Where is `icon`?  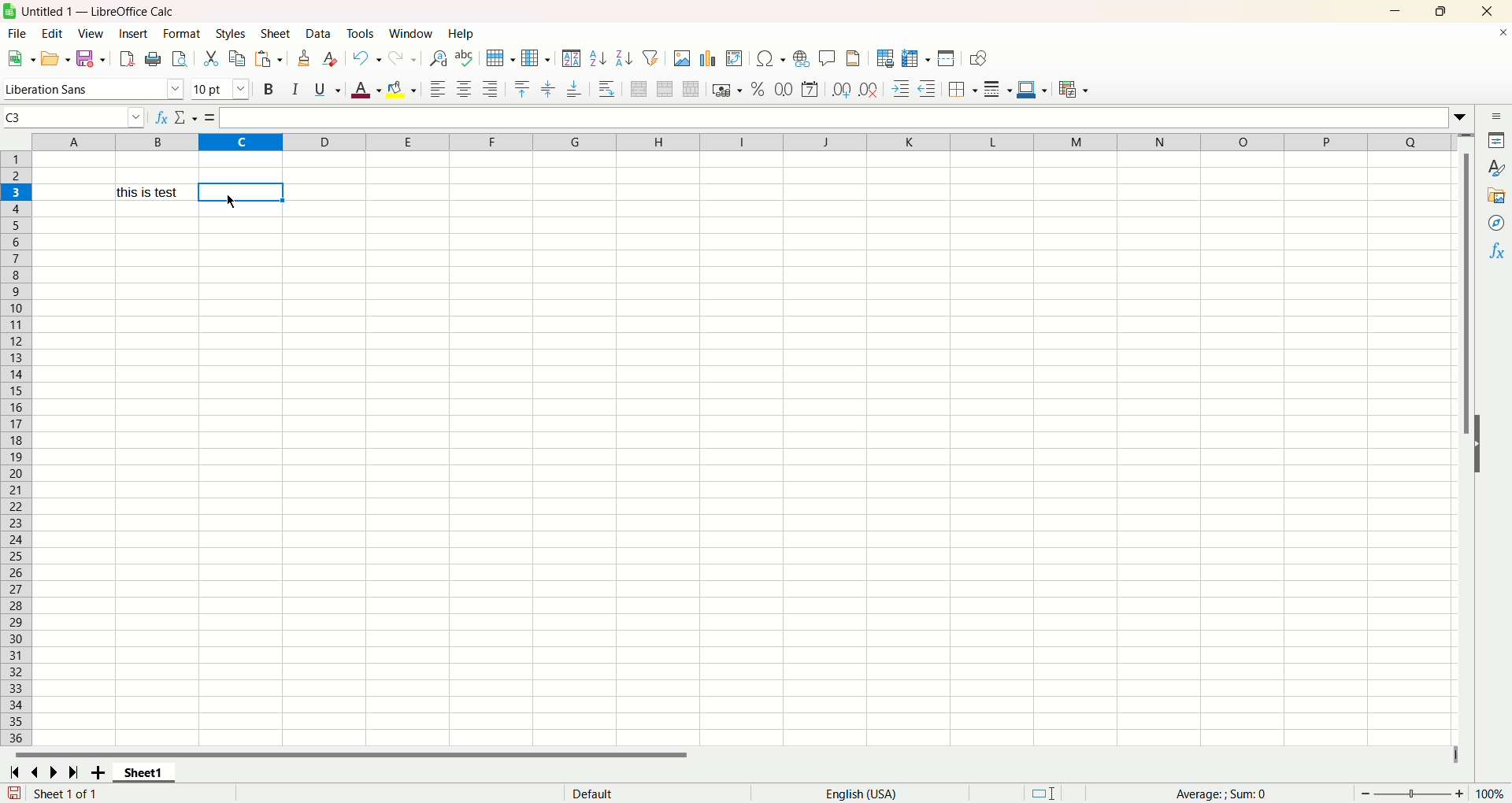
icon is located at coordinates (9, 11).